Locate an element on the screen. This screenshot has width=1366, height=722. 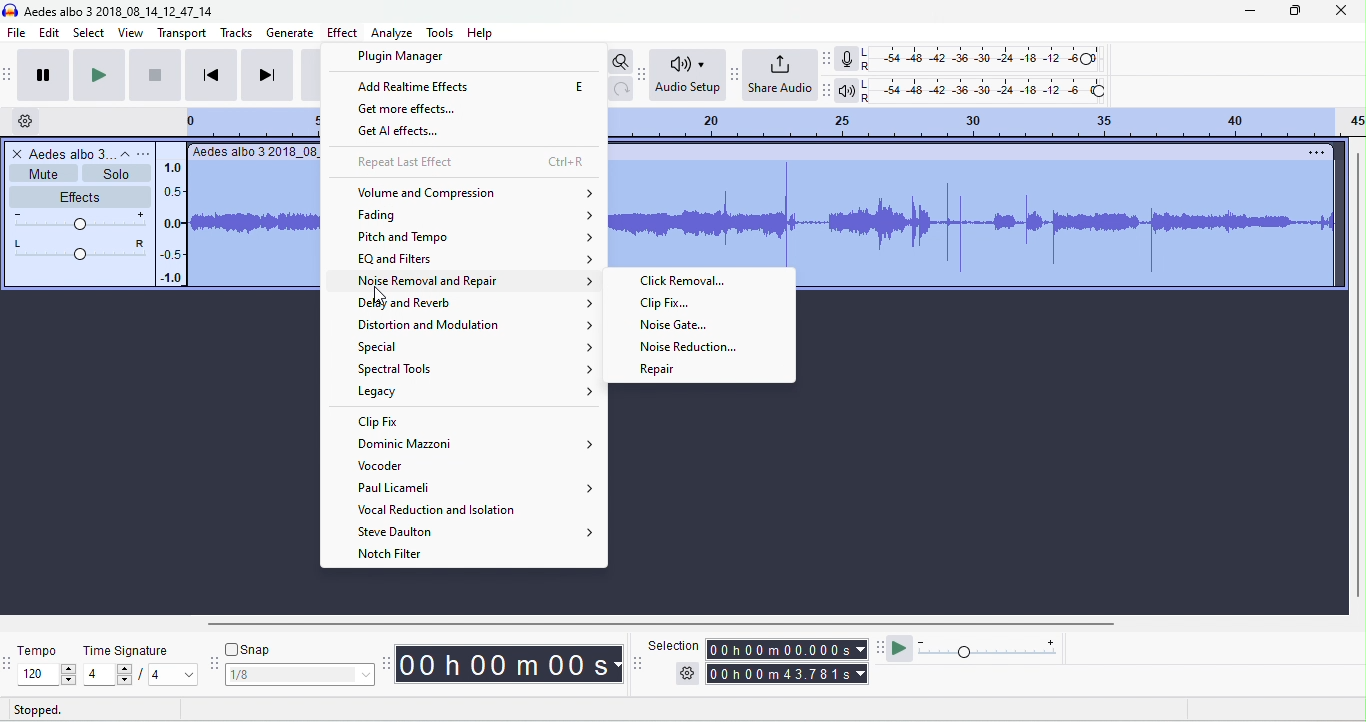
plugin manager is located at coordinates (405, 55).